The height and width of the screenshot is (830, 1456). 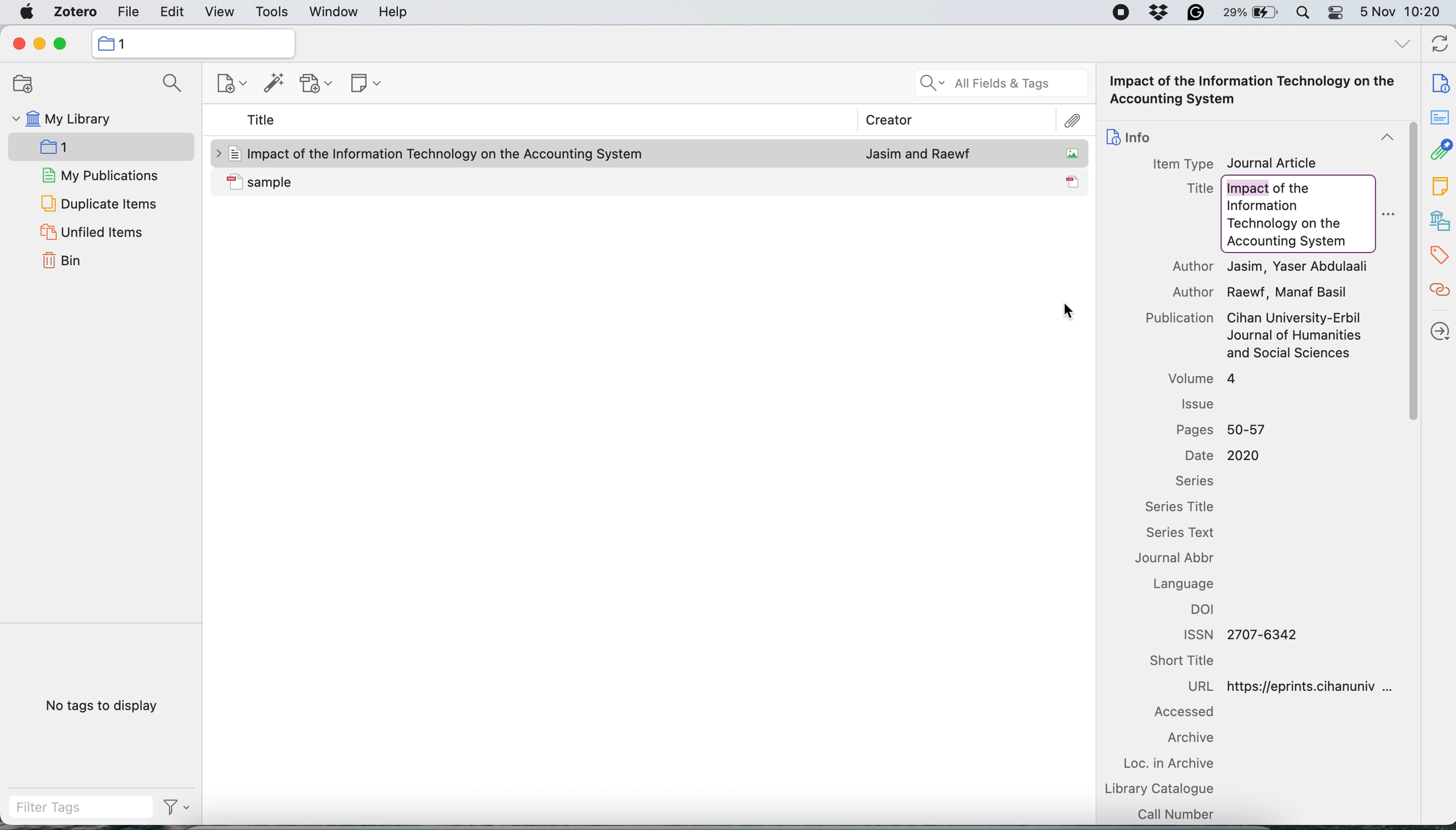 What do you see at coordinates (1069, 311) in the screenshot?
I see `cursor` at bounding box center [1069, 311].